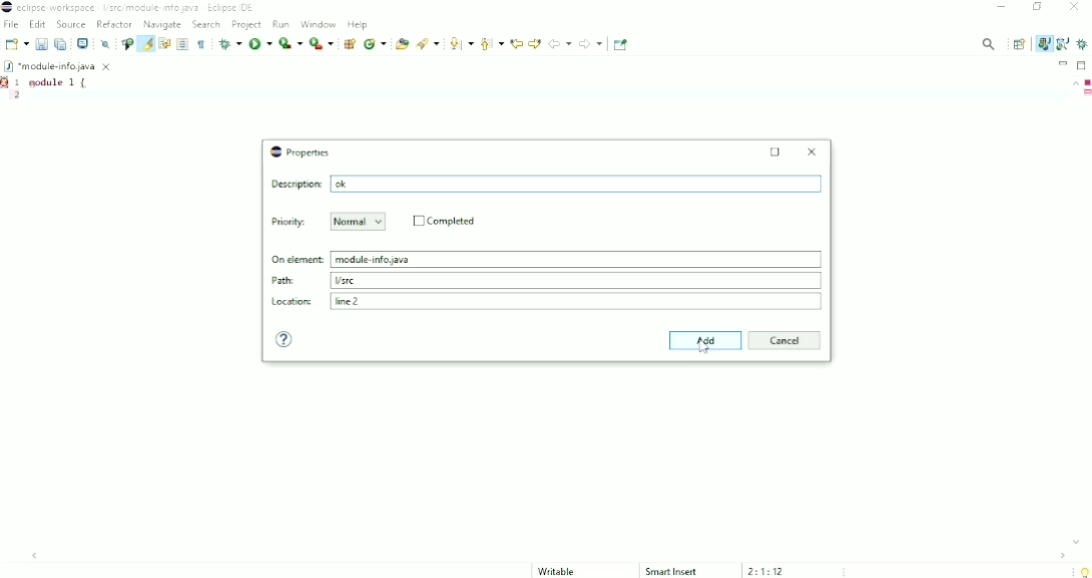  What do you see at coordinates (349, 44) in the screenshot?
I see `New java package` at bounding box center [349, 44].